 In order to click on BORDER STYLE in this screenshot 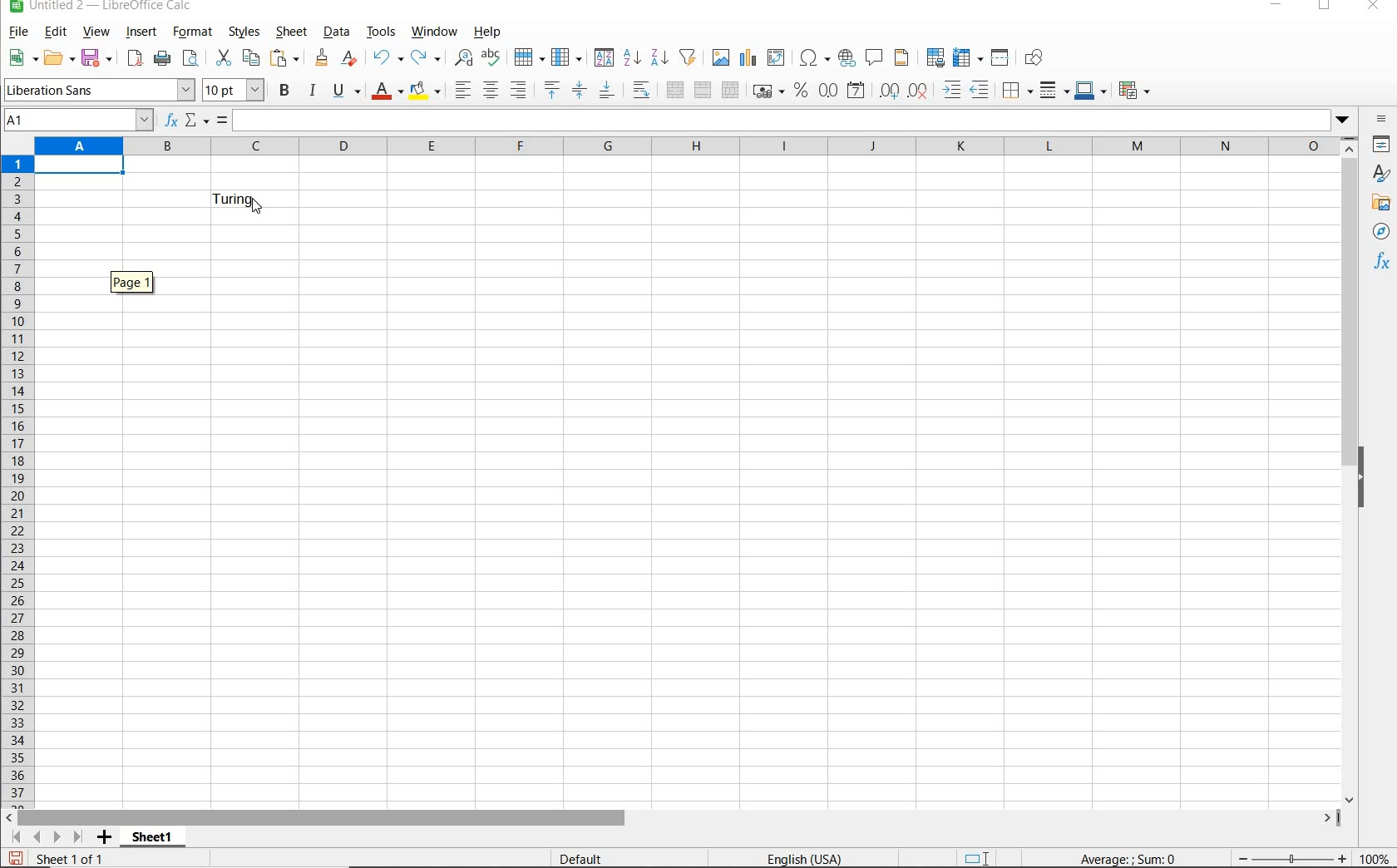, I will do `click(1051, 91)`.